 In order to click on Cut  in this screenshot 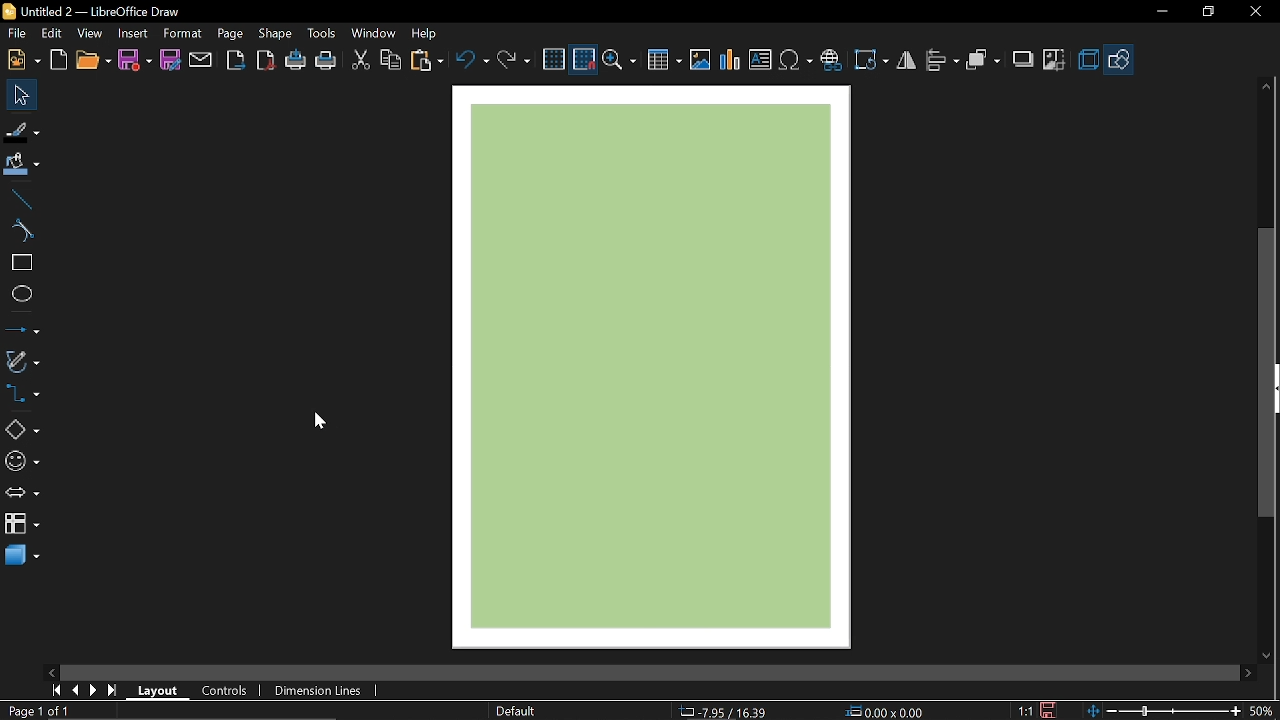, I will do `click(360, 61)`.